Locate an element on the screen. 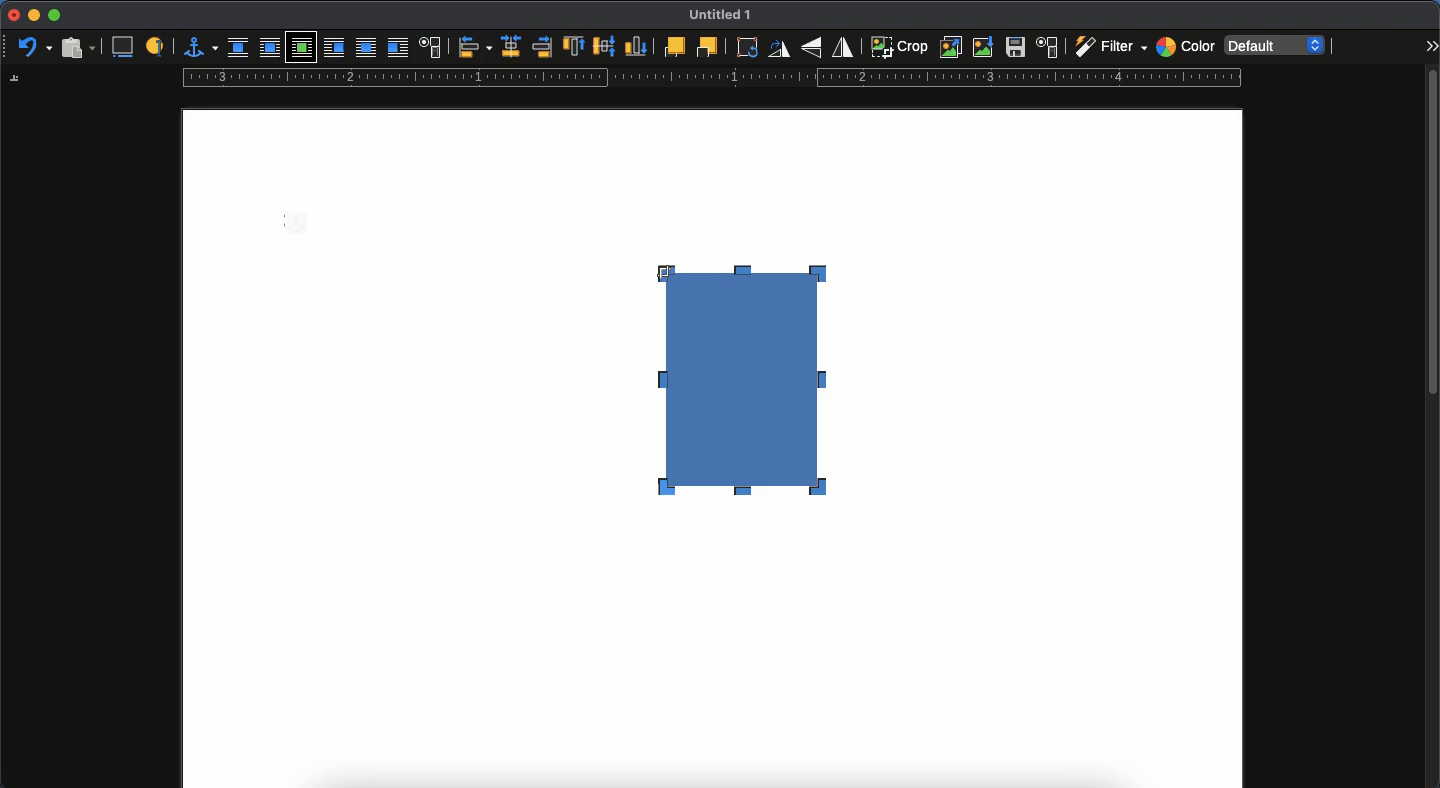 The width and height of the screenshot is (1440, 788). compress is located at coordinates (984, 47).